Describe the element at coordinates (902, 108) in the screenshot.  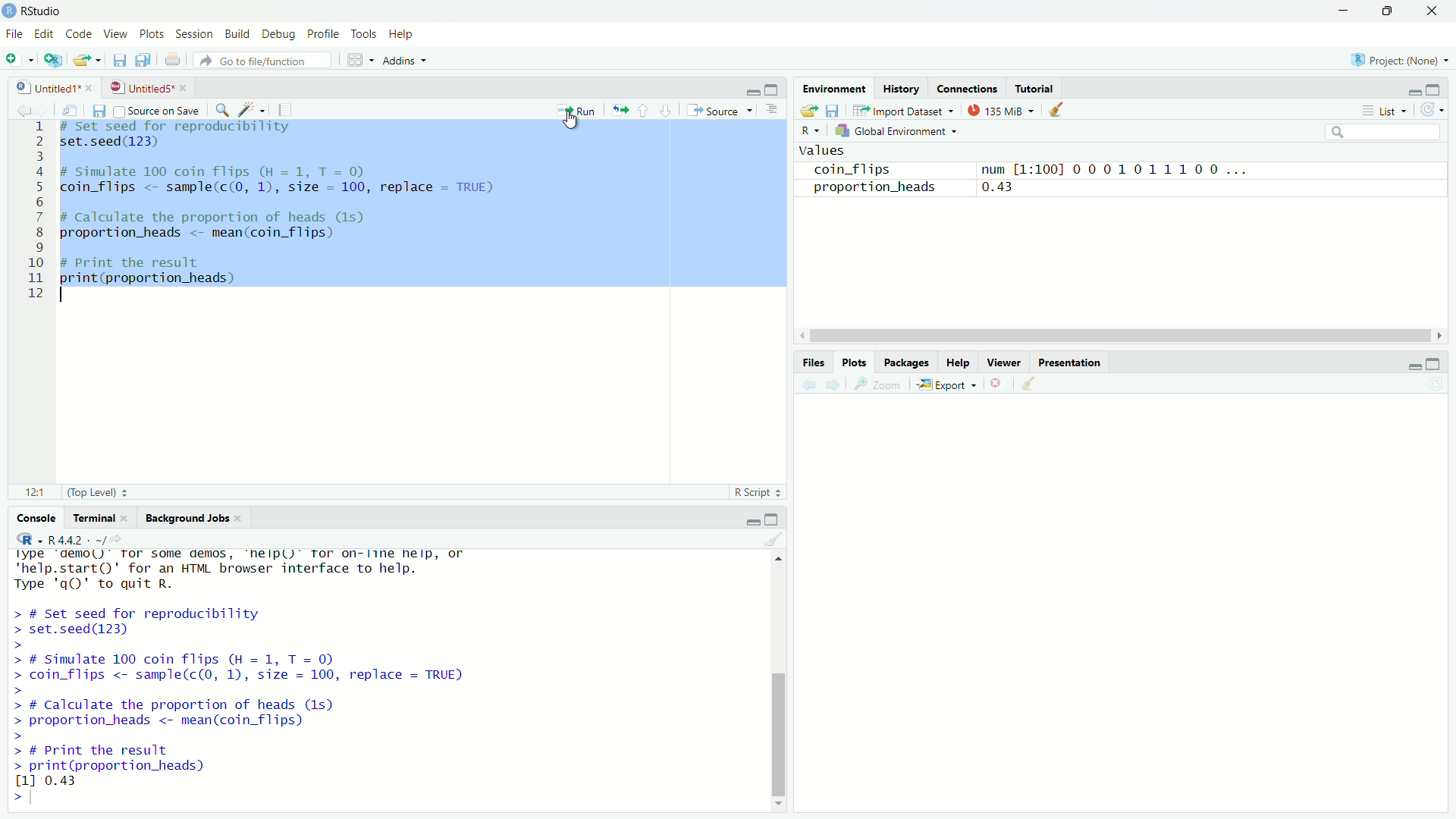
I see `import dataset` at that location.